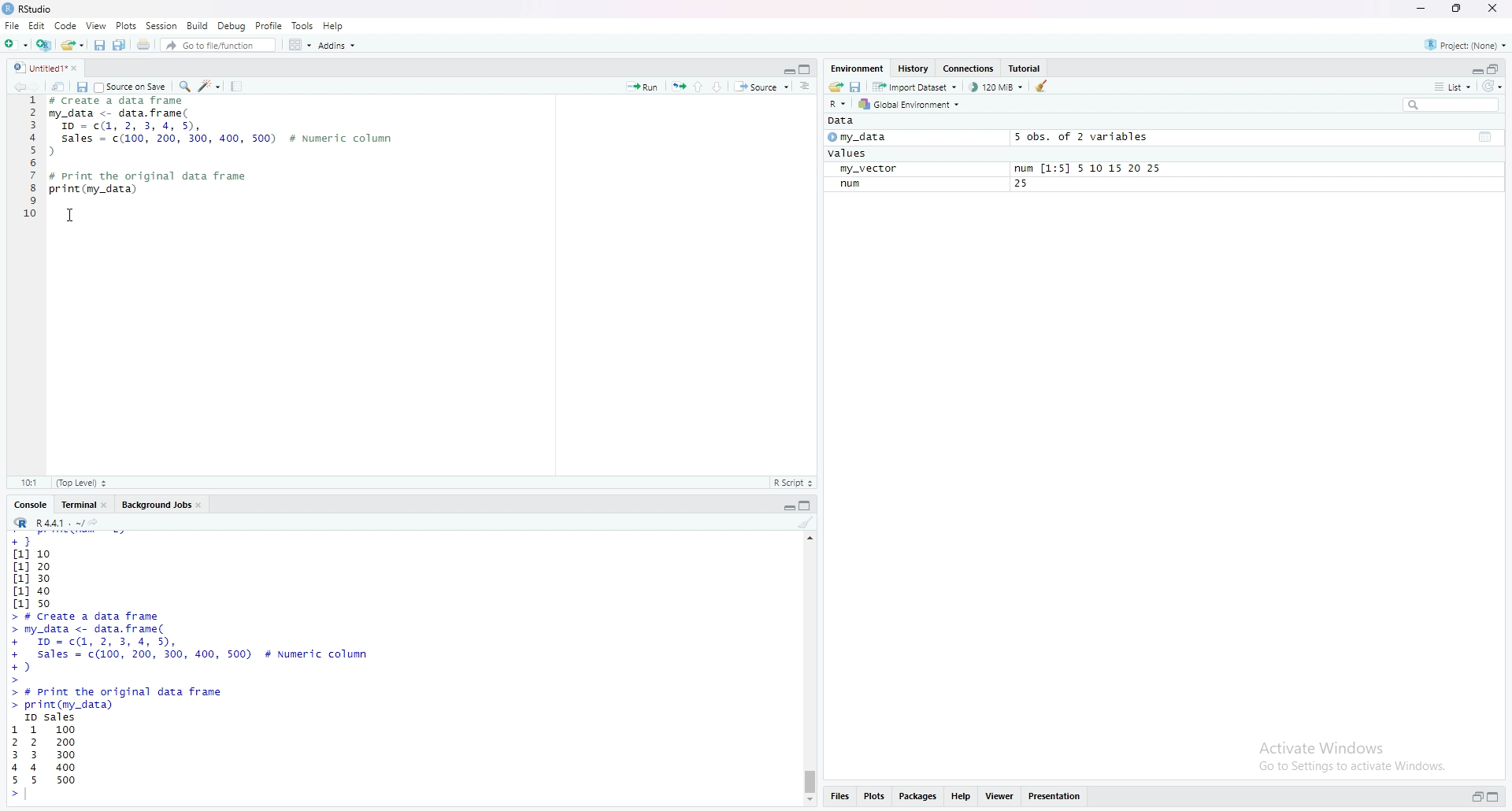 This screenshot has height=811, width=1512. Describe the element at coordinates (784, 506) in the screenshot. I see `minimize` at that location.